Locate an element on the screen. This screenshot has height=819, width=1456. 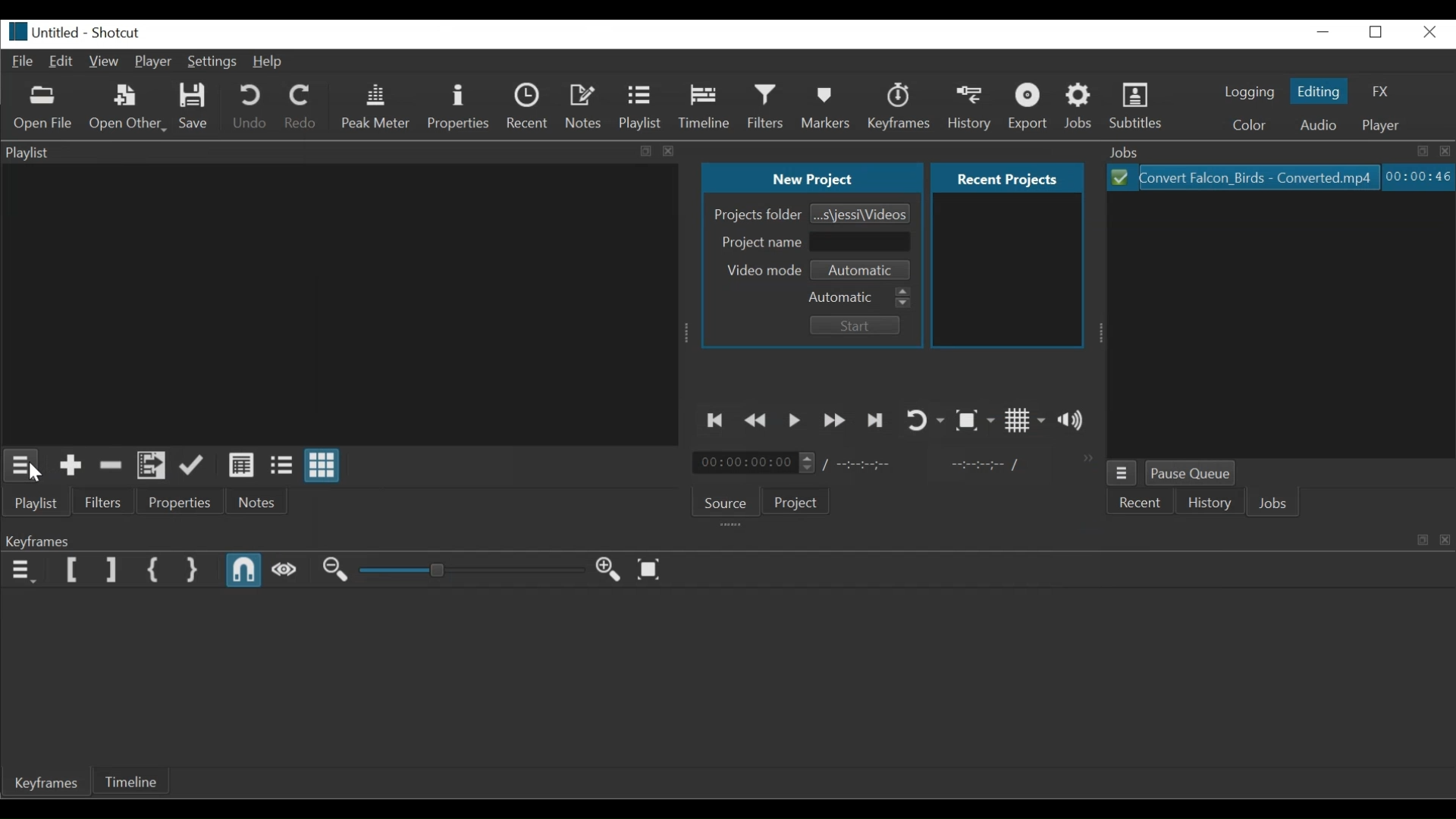
Add files to playlist is located at coordinates (152, 465).